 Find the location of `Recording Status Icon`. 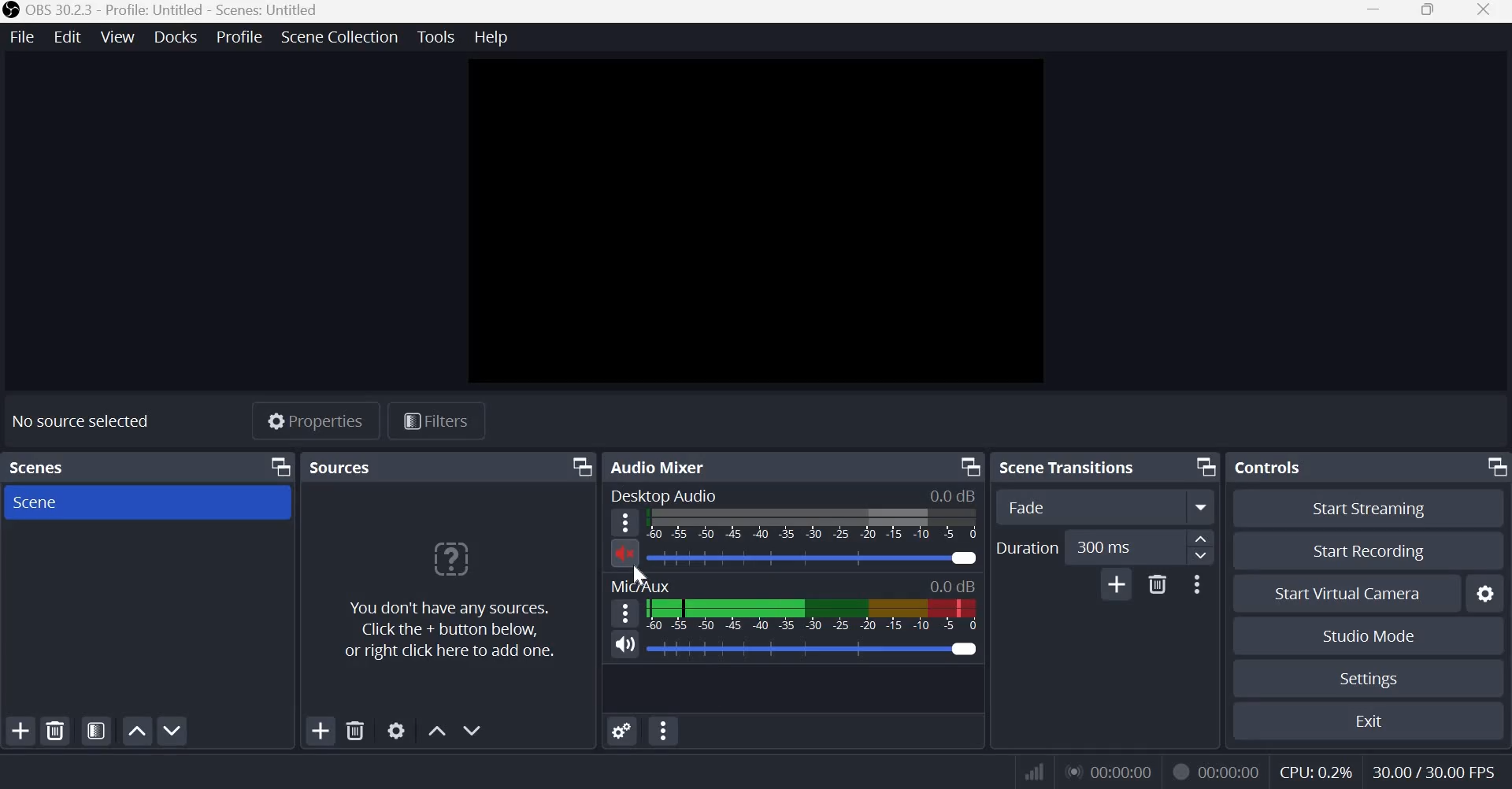

Recording Status Icon is located at coordinates (1180, 772).